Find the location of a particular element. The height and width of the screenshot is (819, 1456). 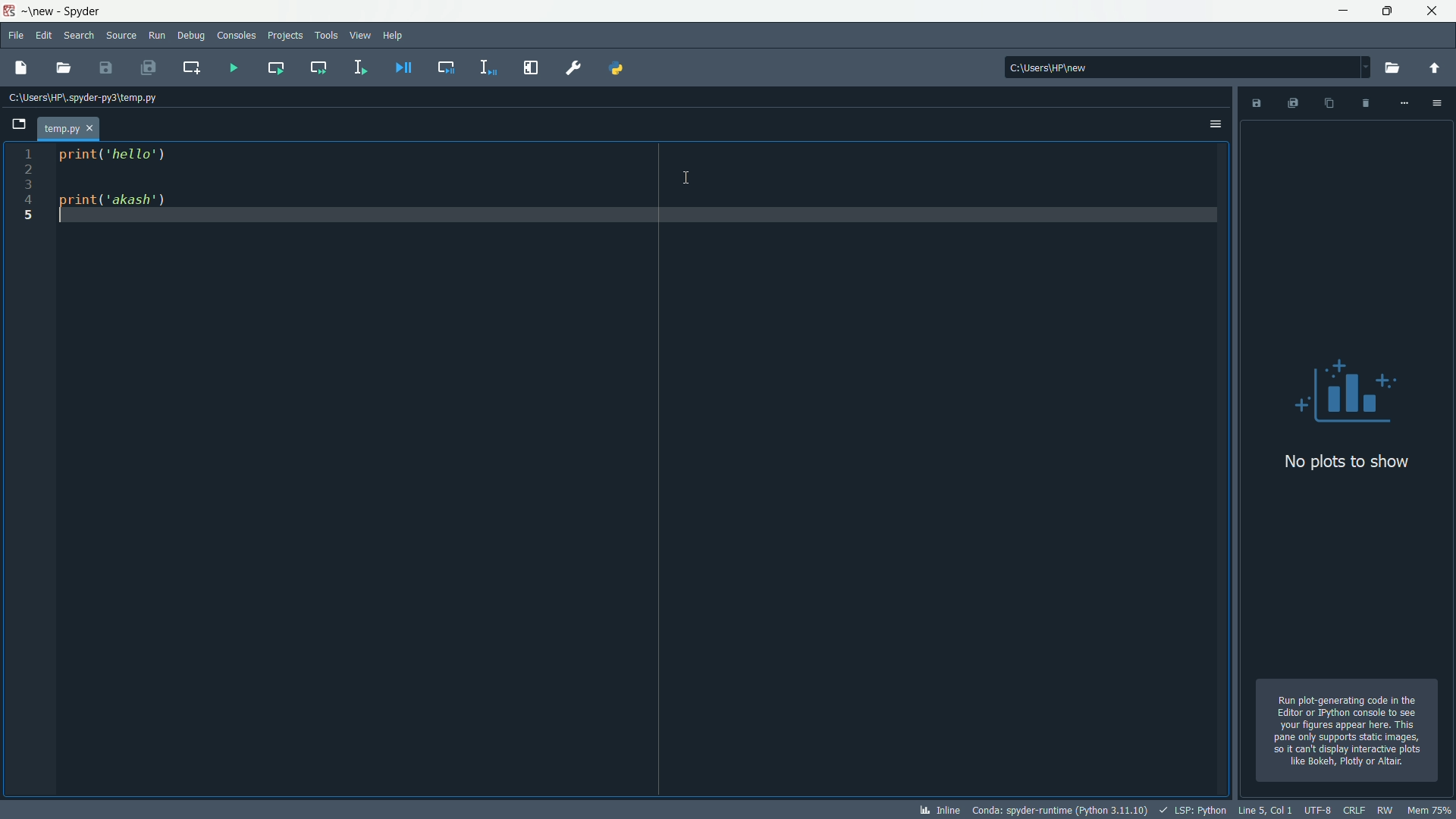

Current file tab is located at coordinates (68, 128).